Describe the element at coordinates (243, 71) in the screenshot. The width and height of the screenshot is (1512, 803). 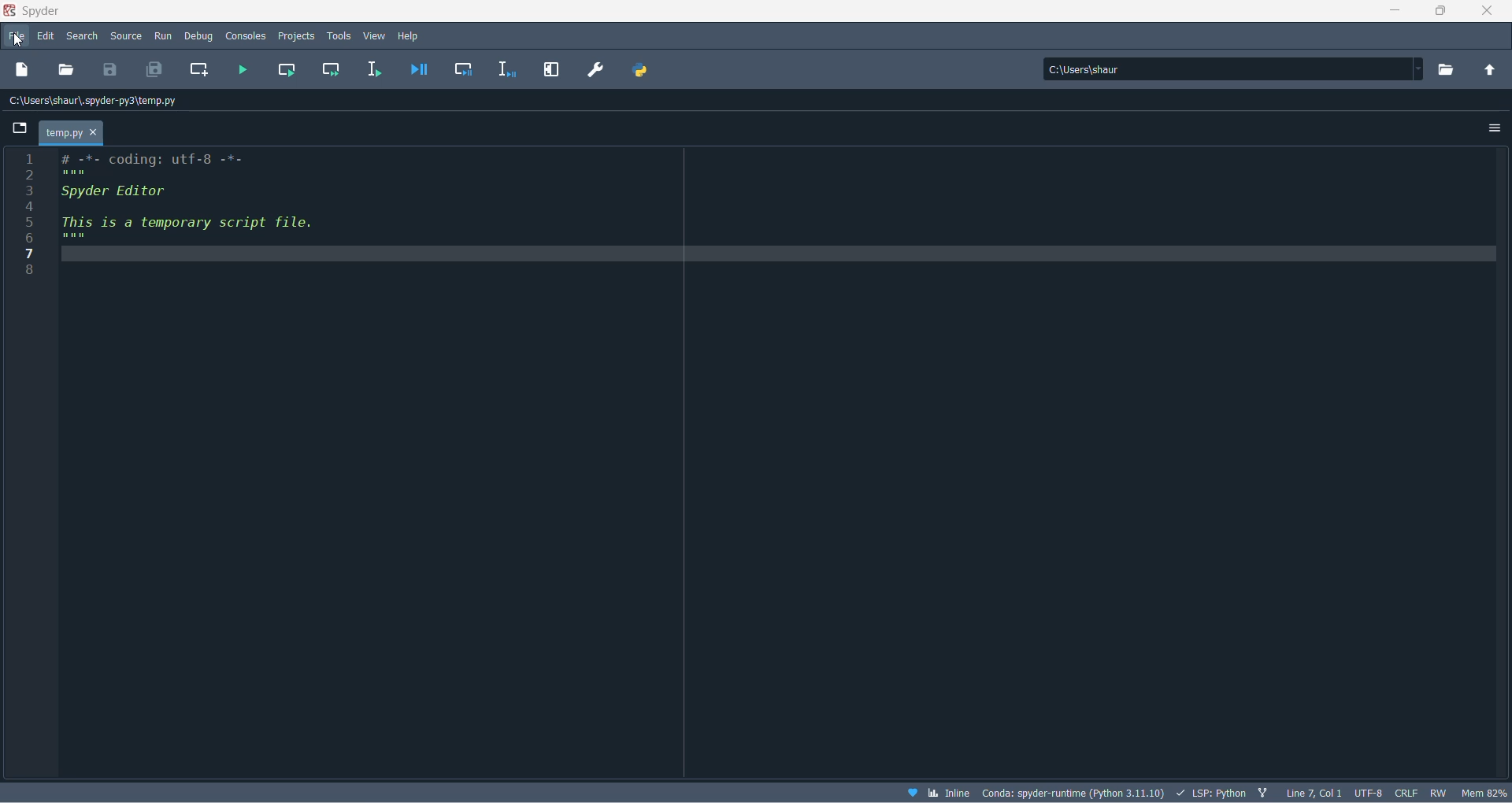
I see `run file` at that location.